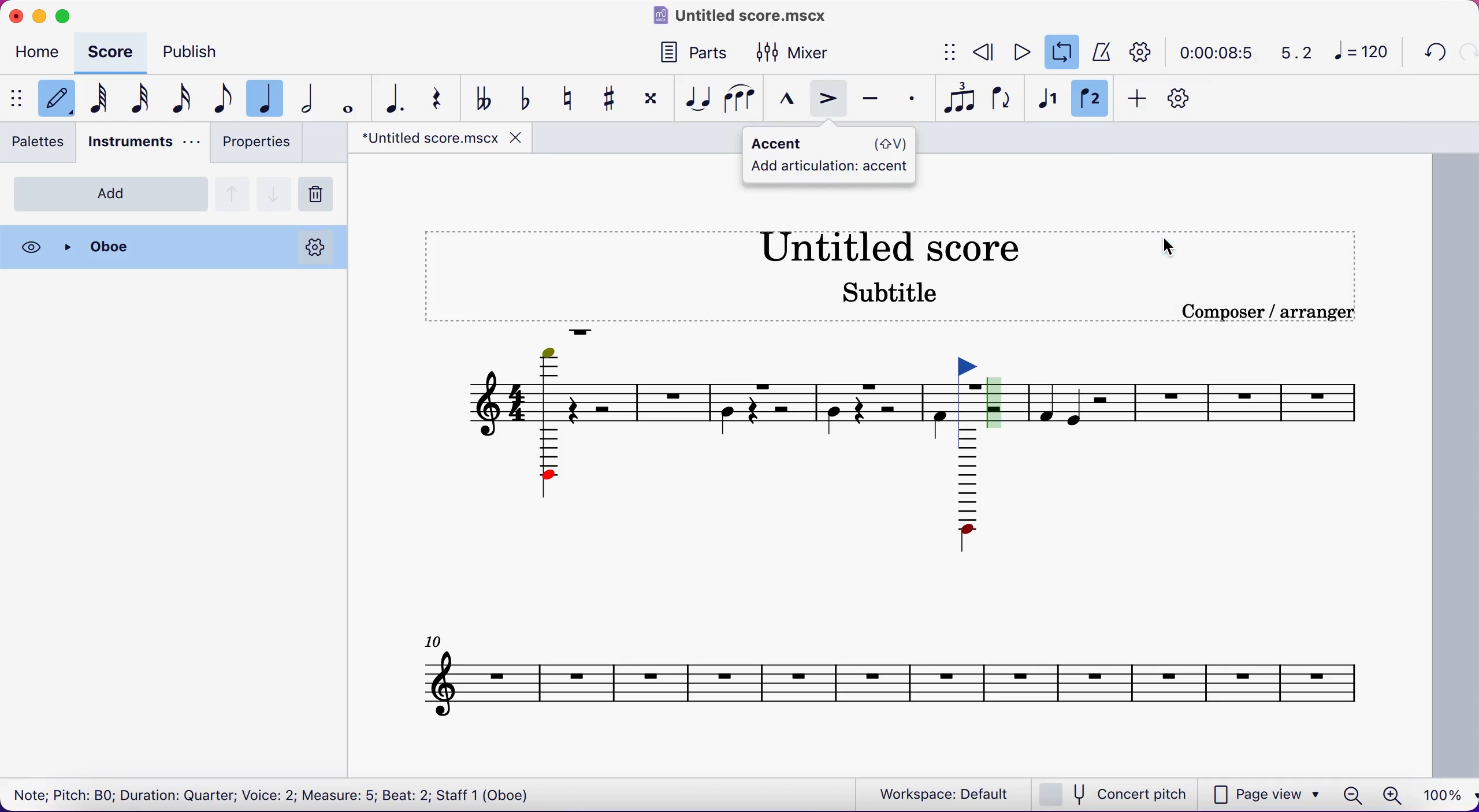 The height and width of the screenshot is (812, 1479). I want to click on 32nd note, so click(140, 100).